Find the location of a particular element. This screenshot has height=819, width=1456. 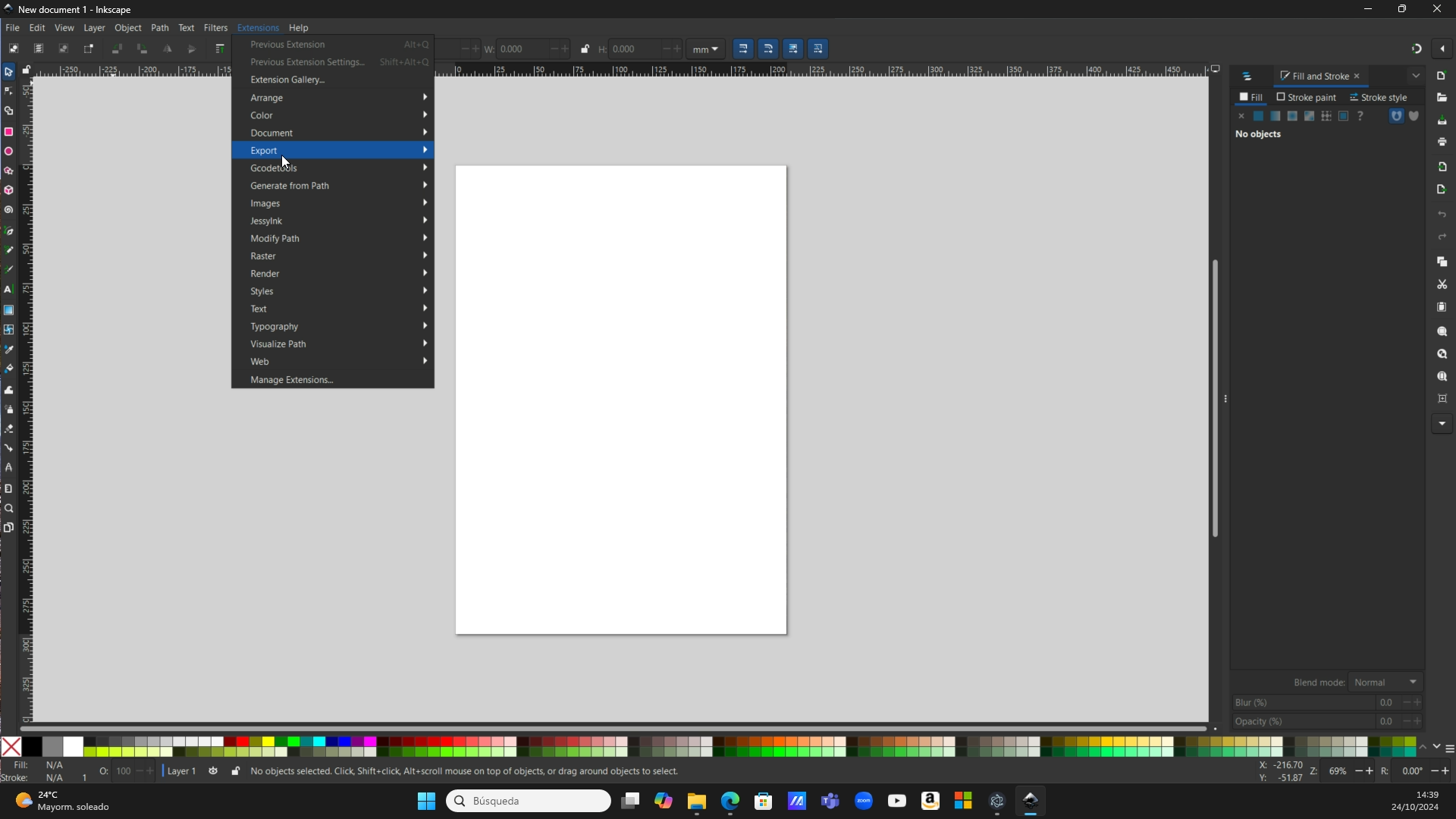

Picture Info is located at coordinates (1352, 771).